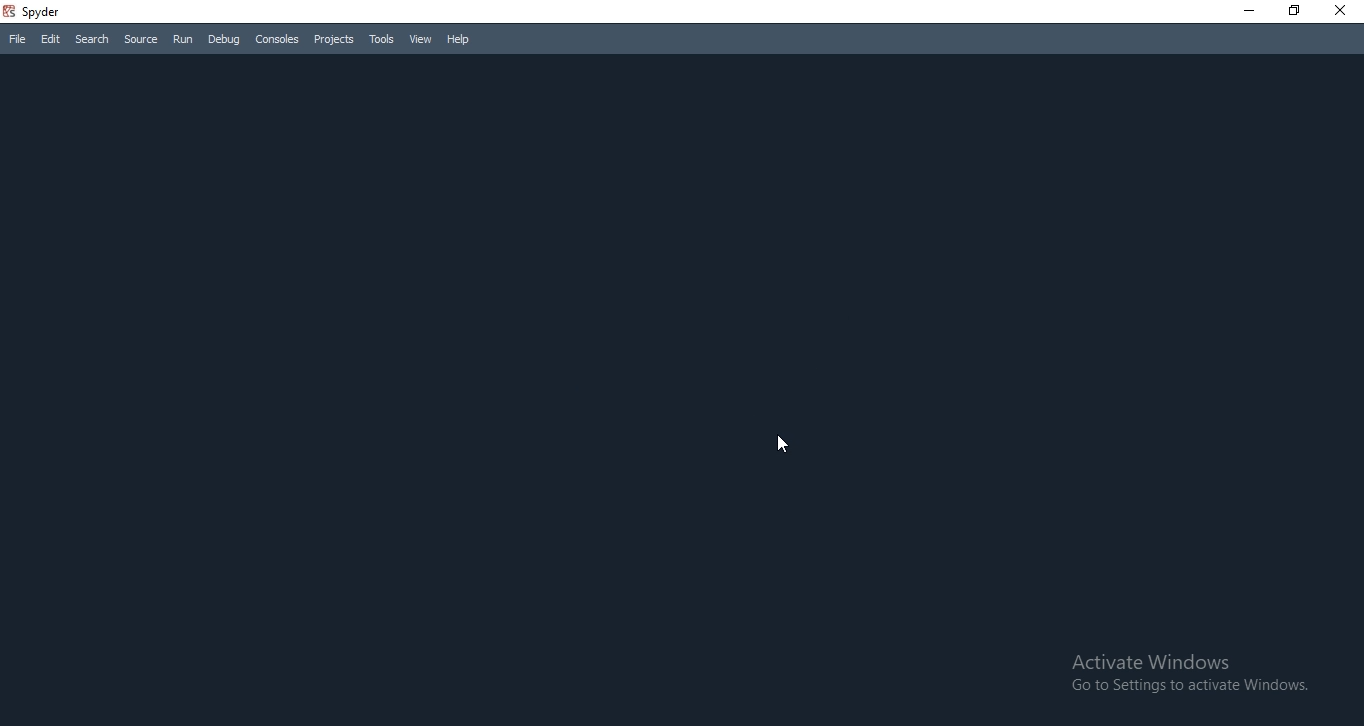 The height and width of the screenshot is (726, 1364). Describe the element at coordinates (1293, 13) in the screenshot. I see `restore` at that location.